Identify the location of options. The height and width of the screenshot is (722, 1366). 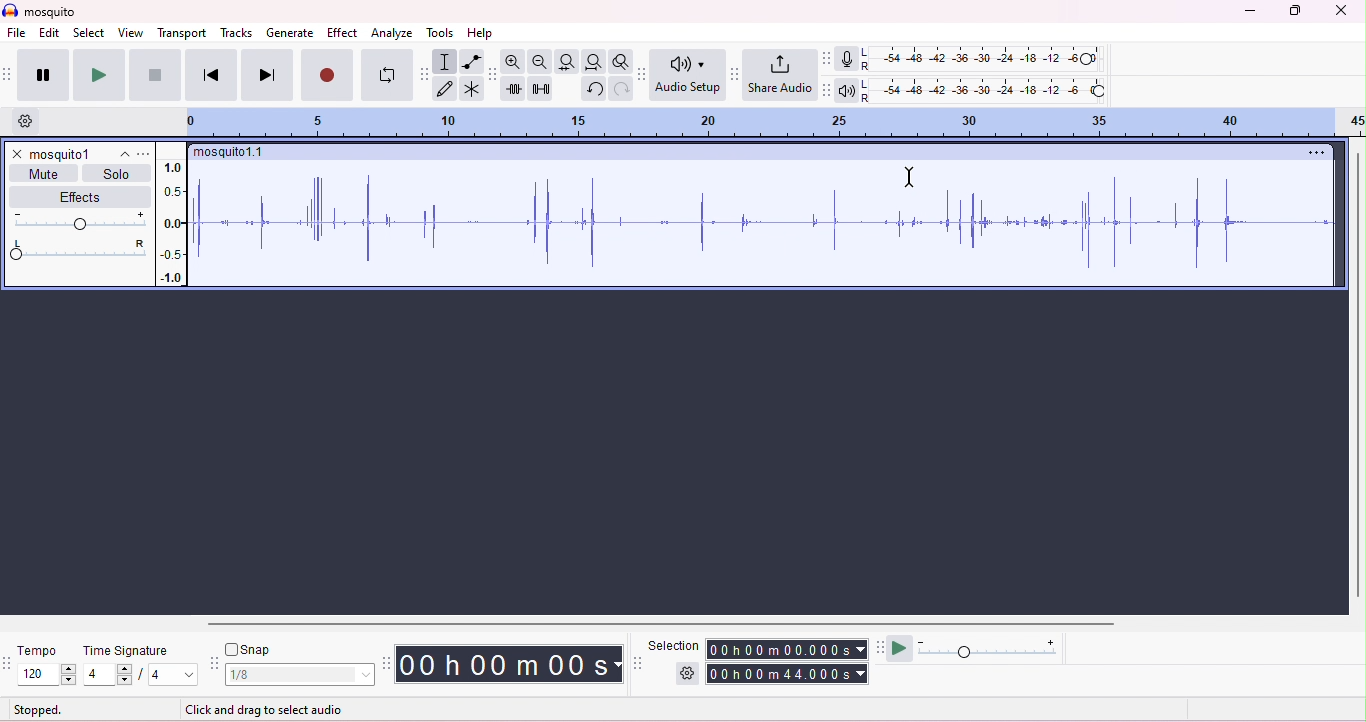
(144, 154).